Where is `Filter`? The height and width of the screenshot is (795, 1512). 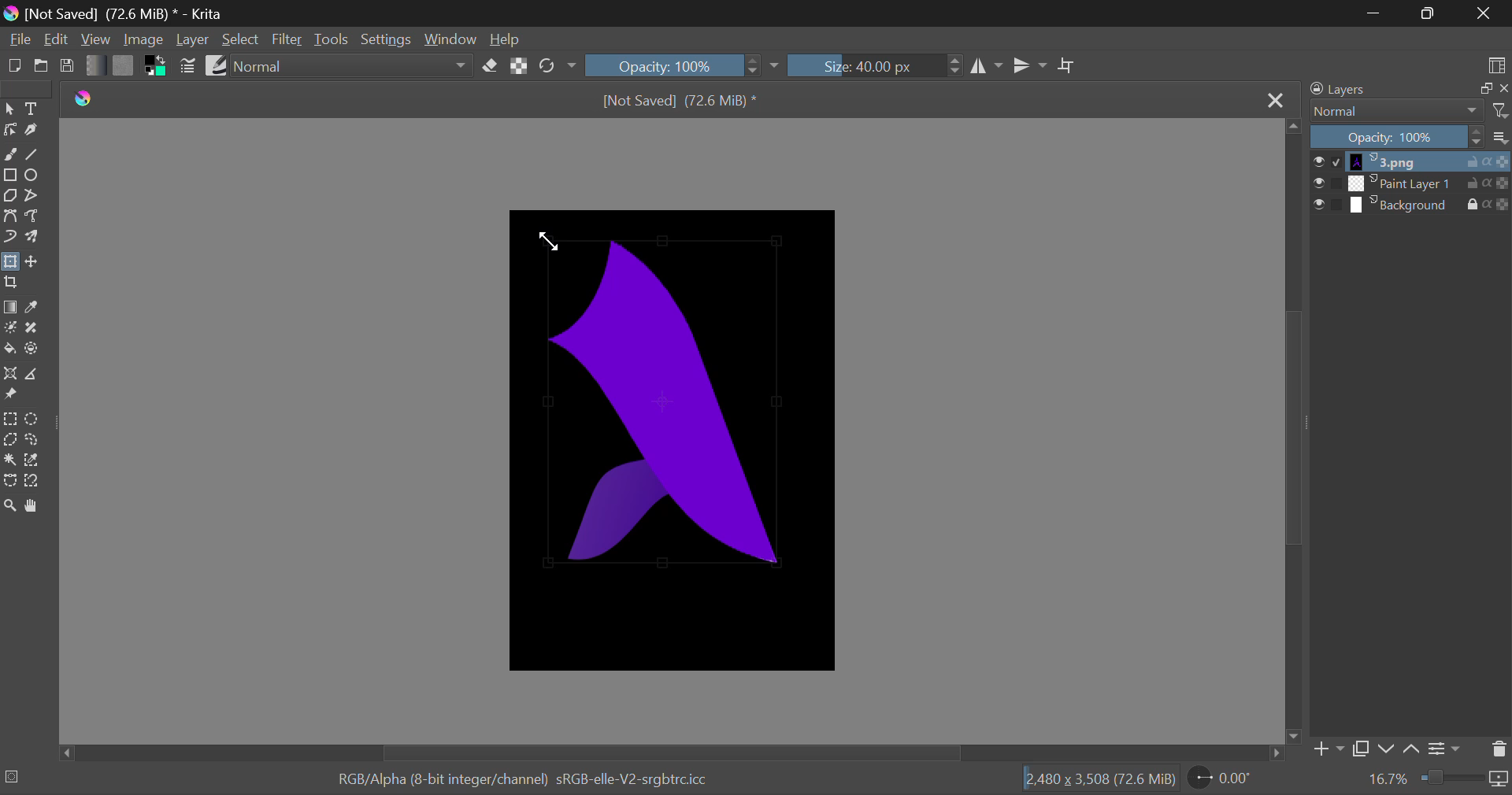
Filter is located at coordinates (289, 39).